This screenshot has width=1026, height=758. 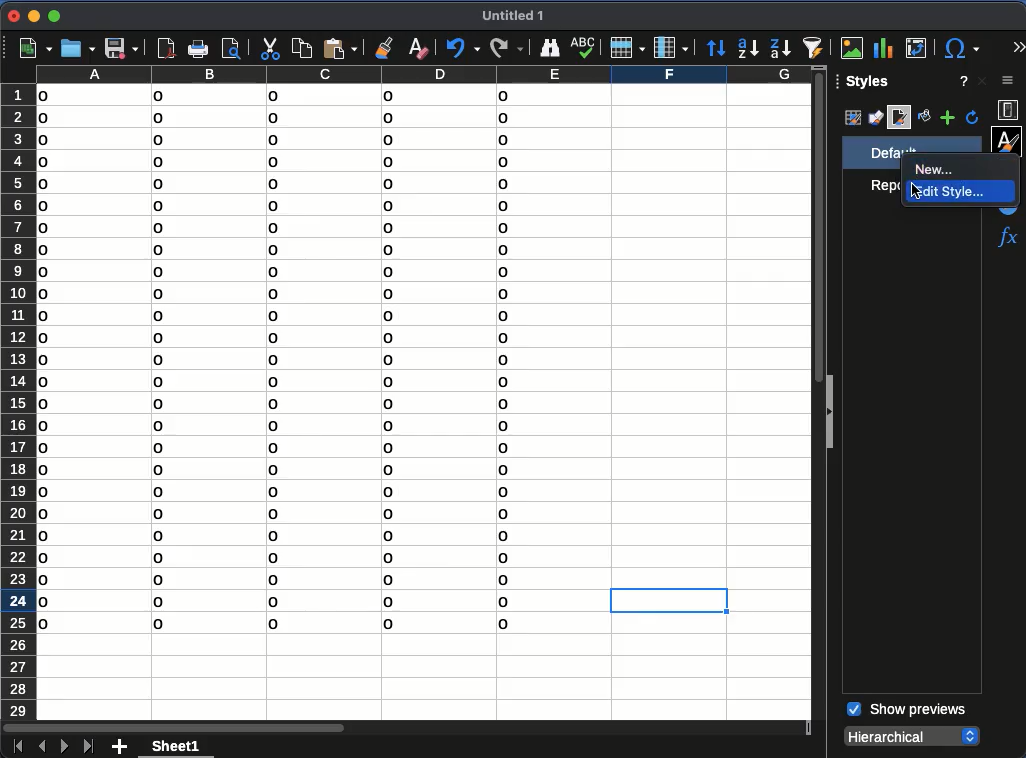 I want to click on print preview, so click(x=233, y=47).